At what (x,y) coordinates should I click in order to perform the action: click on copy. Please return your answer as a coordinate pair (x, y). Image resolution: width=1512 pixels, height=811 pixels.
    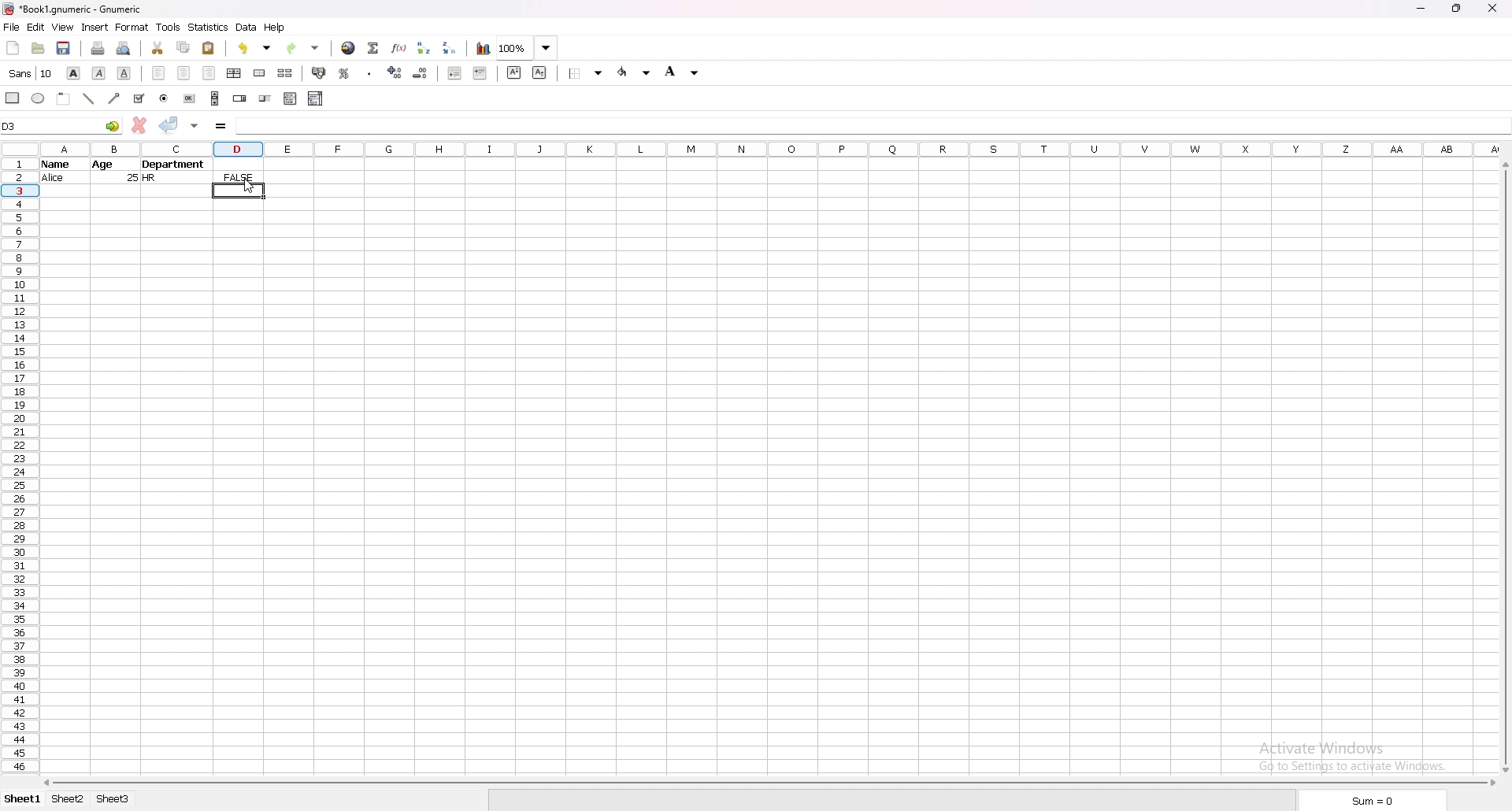
    Looking at the image, I should click on (183, 47).